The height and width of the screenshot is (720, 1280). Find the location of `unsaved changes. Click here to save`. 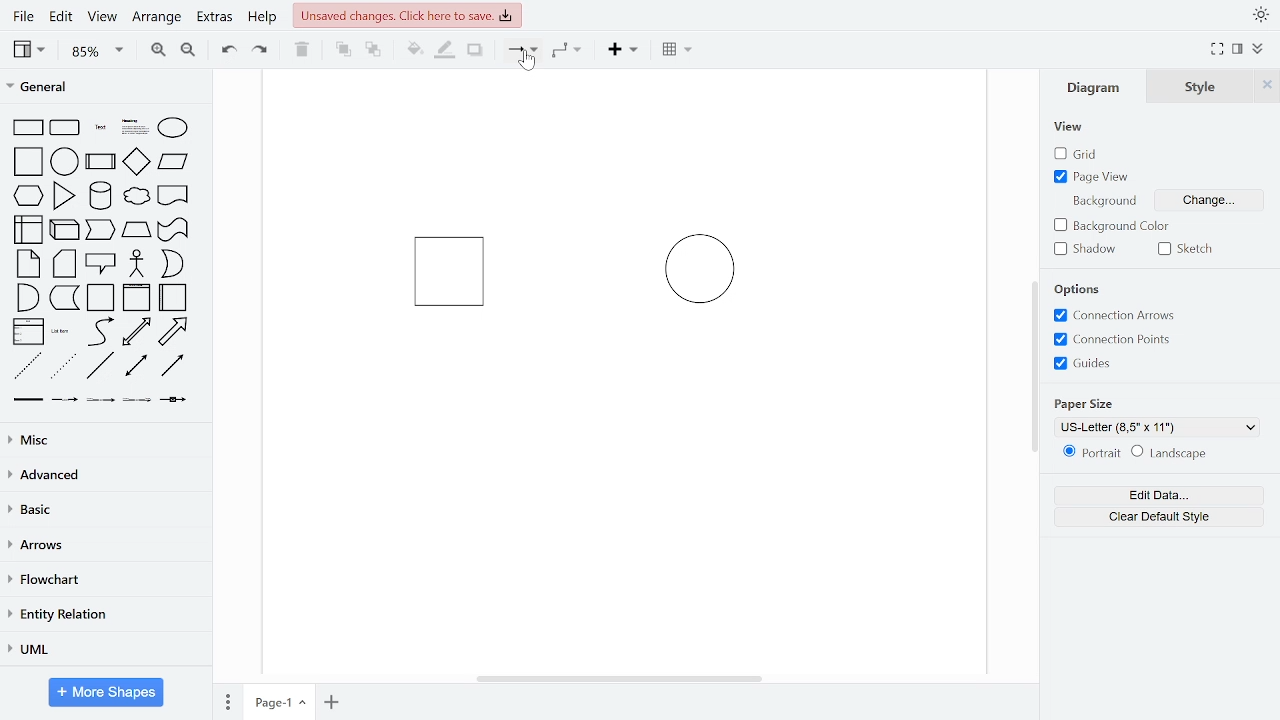

unsaved changes. Click here to save is located at coordinates (408, 14).